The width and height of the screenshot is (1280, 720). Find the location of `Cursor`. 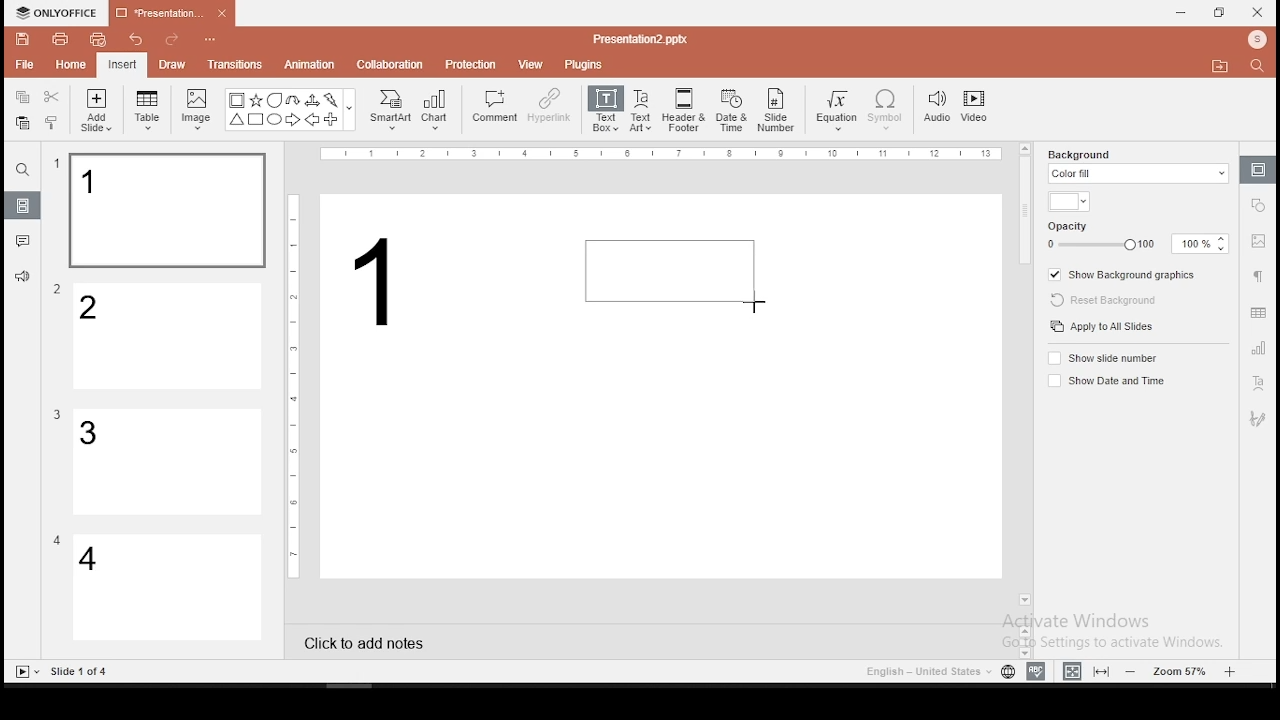

Cursor is located at coordinates (756, 303).